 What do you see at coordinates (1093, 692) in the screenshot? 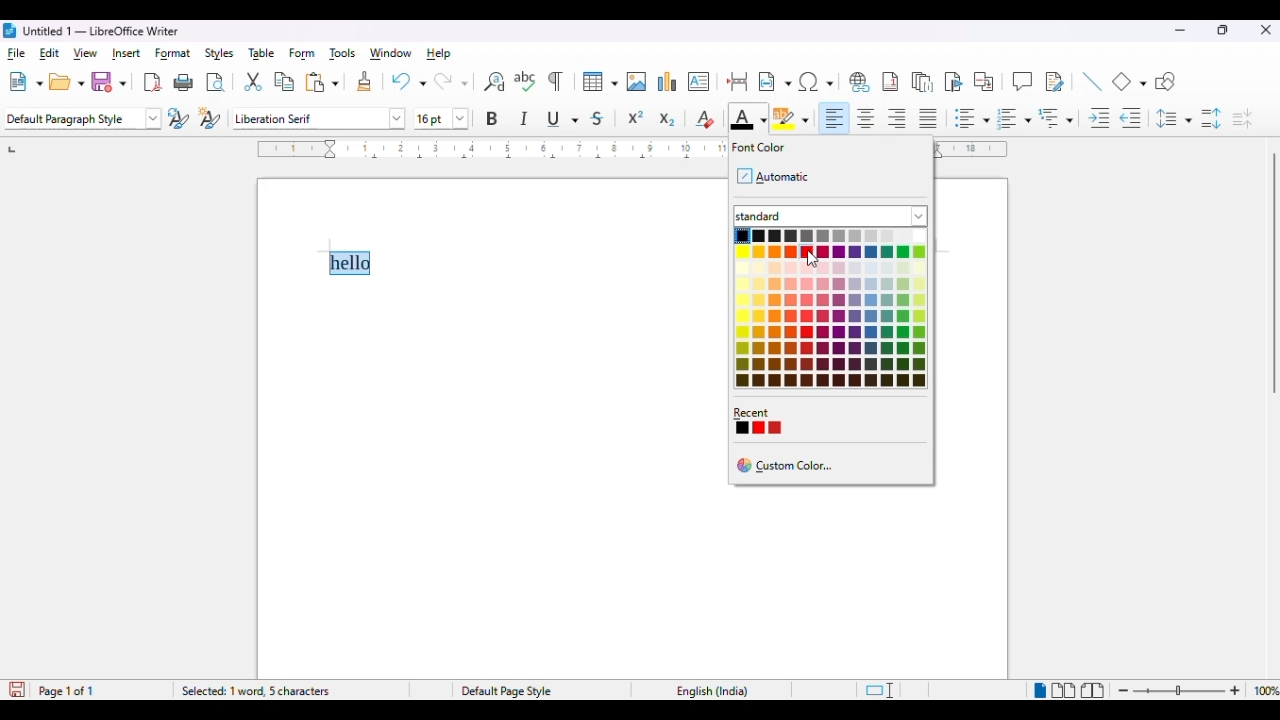
I see `book view` at bounding box center [1093, 692].